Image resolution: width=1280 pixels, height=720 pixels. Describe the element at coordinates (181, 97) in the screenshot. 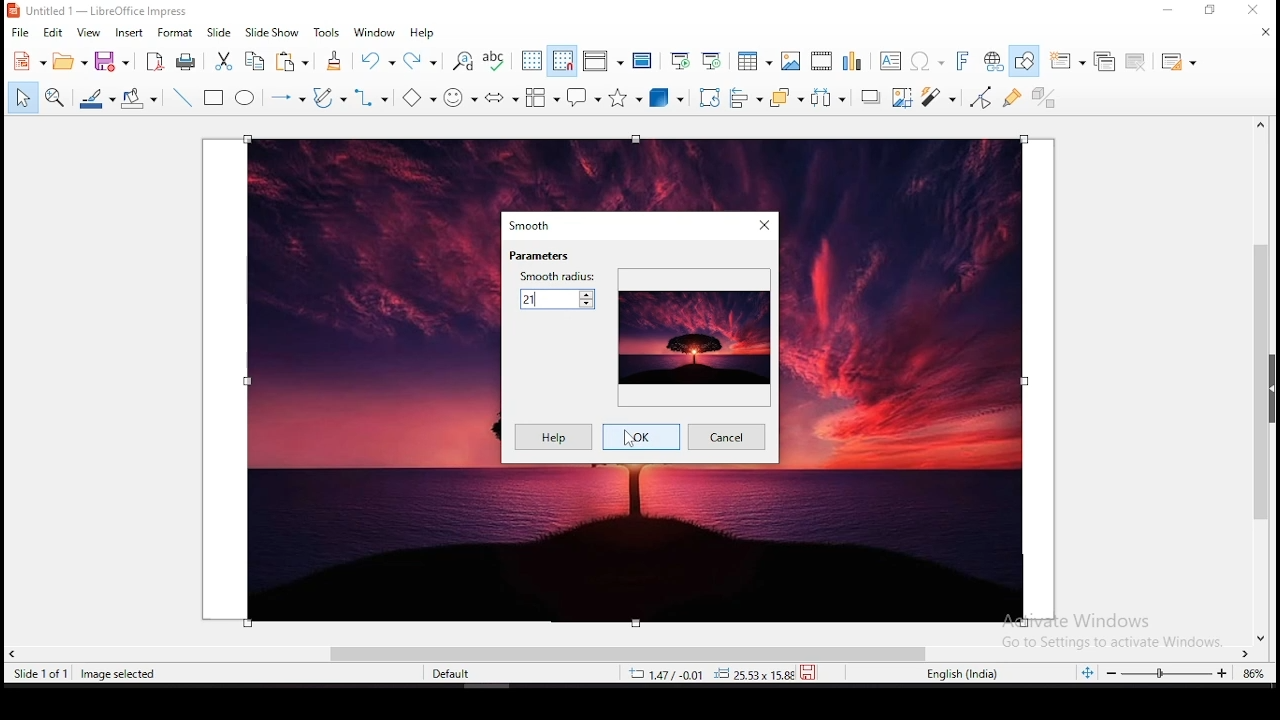

I see `insert line` at that location.